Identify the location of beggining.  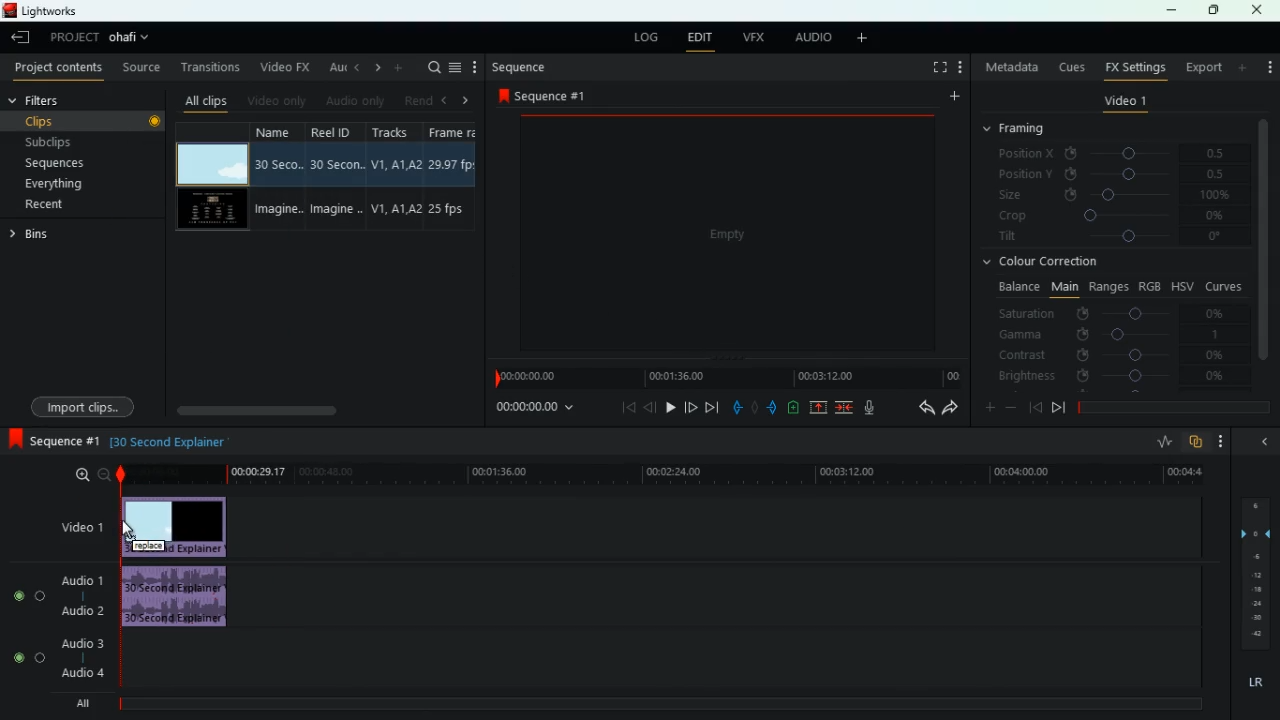
(622, 407).